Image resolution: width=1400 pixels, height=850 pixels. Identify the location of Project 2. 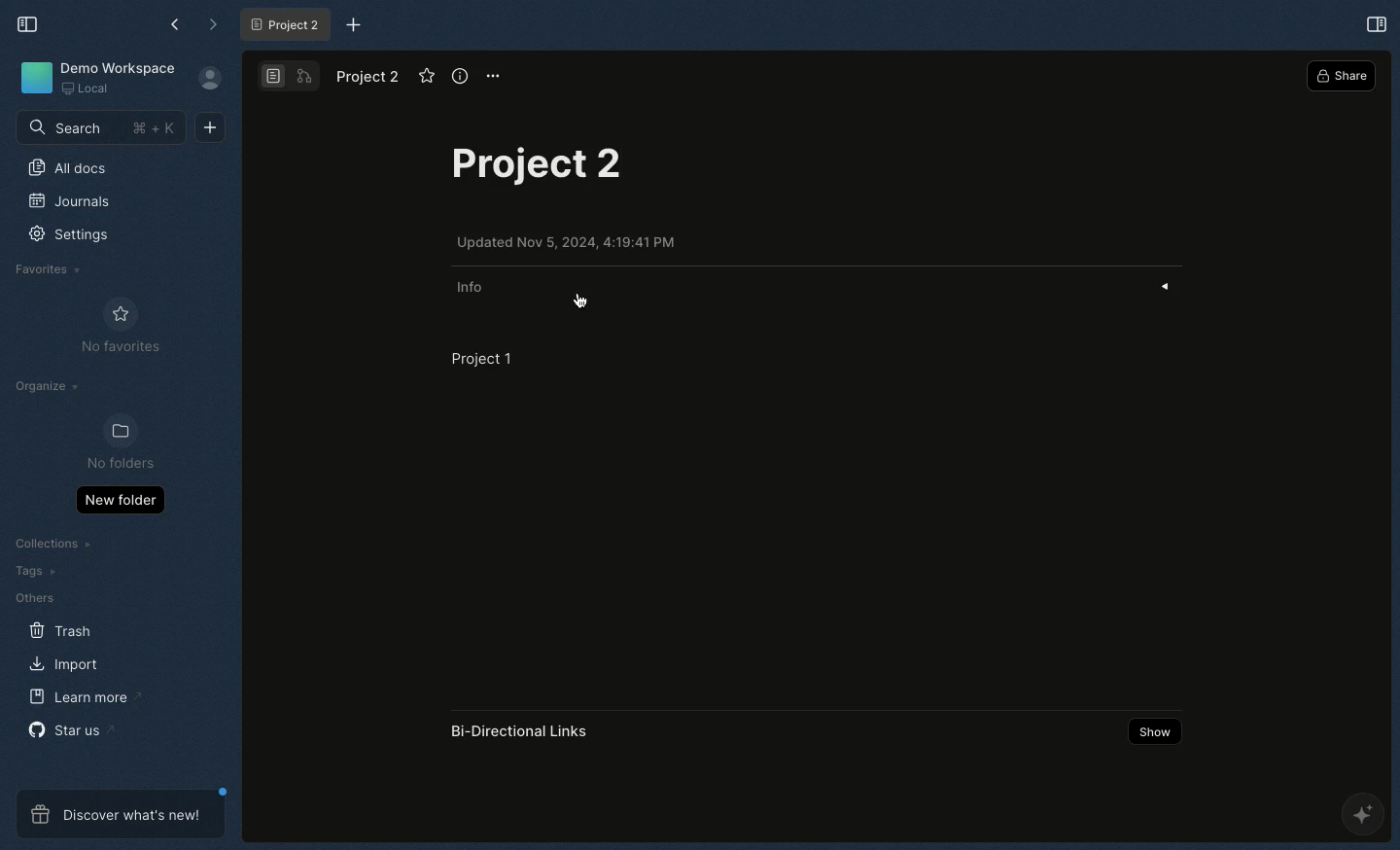
(550, 169).